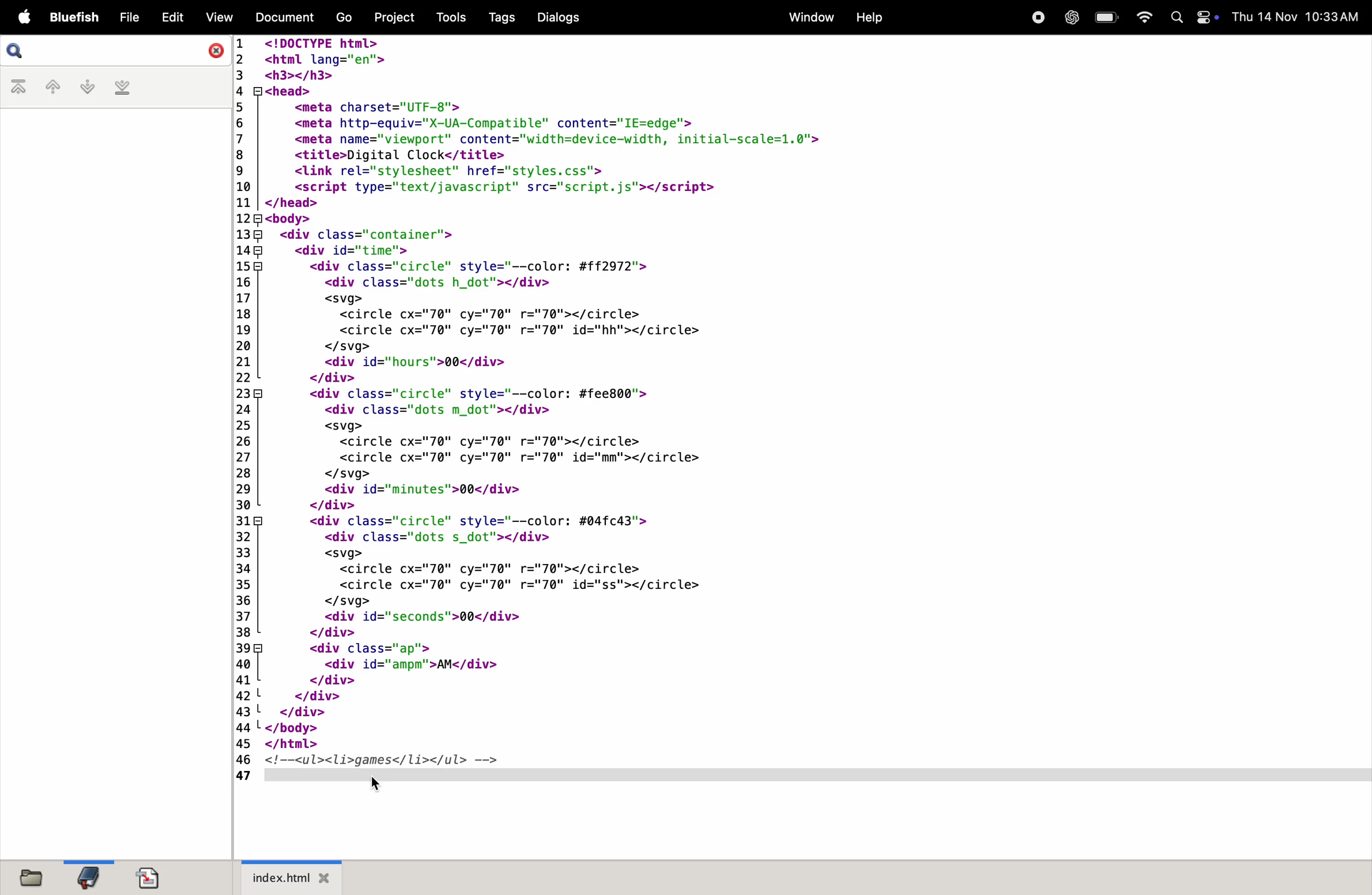 This screenshot has width=1372, height=895. What do you see at coordinates (22, 16) in the screenshot?
I see `Apple menu` at bounding box center [22, 16].